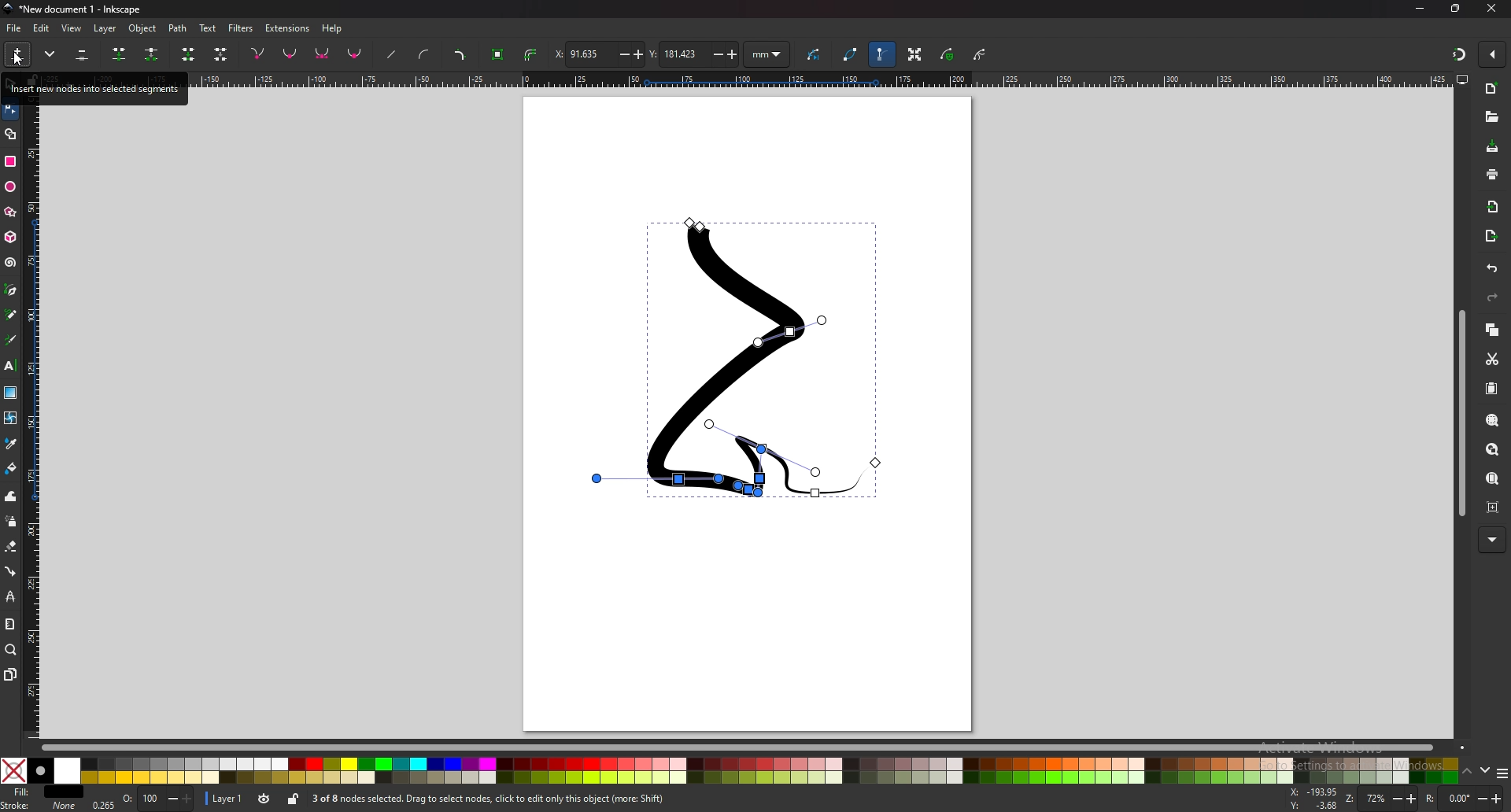 Image resolution: width=1511 pixels, height=812 pixels. Describe the element at coordinates (16, 28) in the screenshot. I see `file` at that location.